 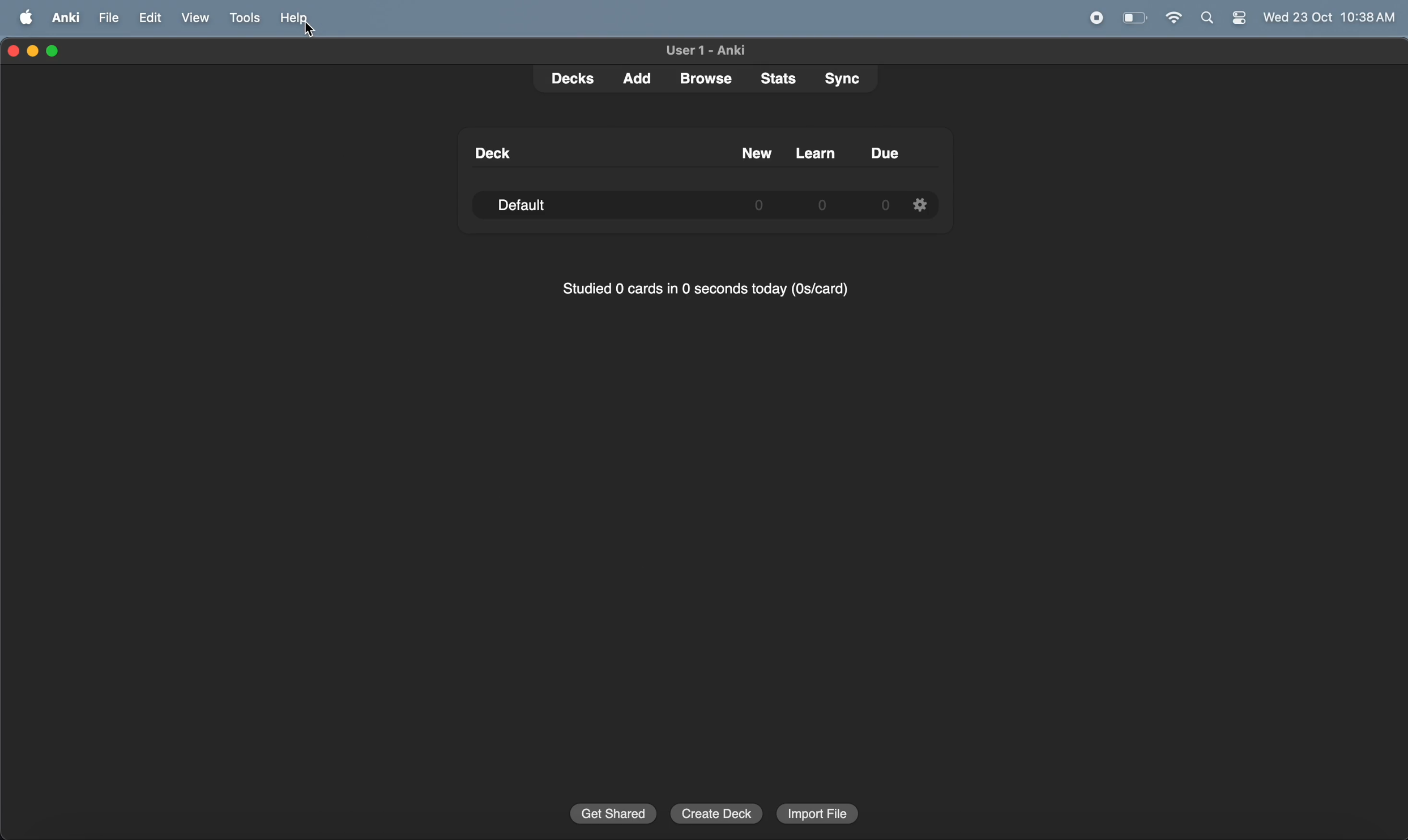 I want to click on Cursor, so click(x=310, y=30).